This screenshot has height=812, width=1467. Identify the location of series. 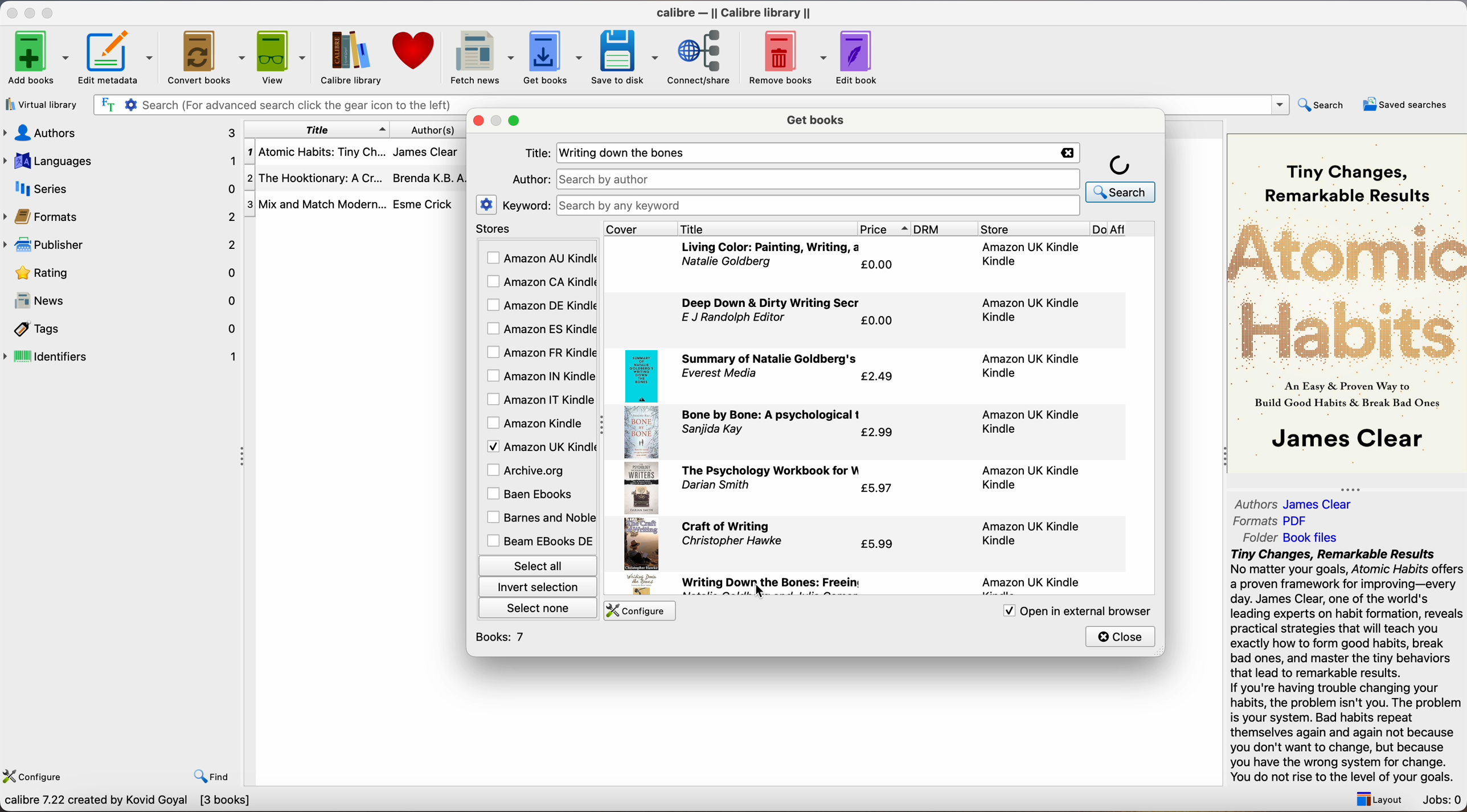
(121, 188).